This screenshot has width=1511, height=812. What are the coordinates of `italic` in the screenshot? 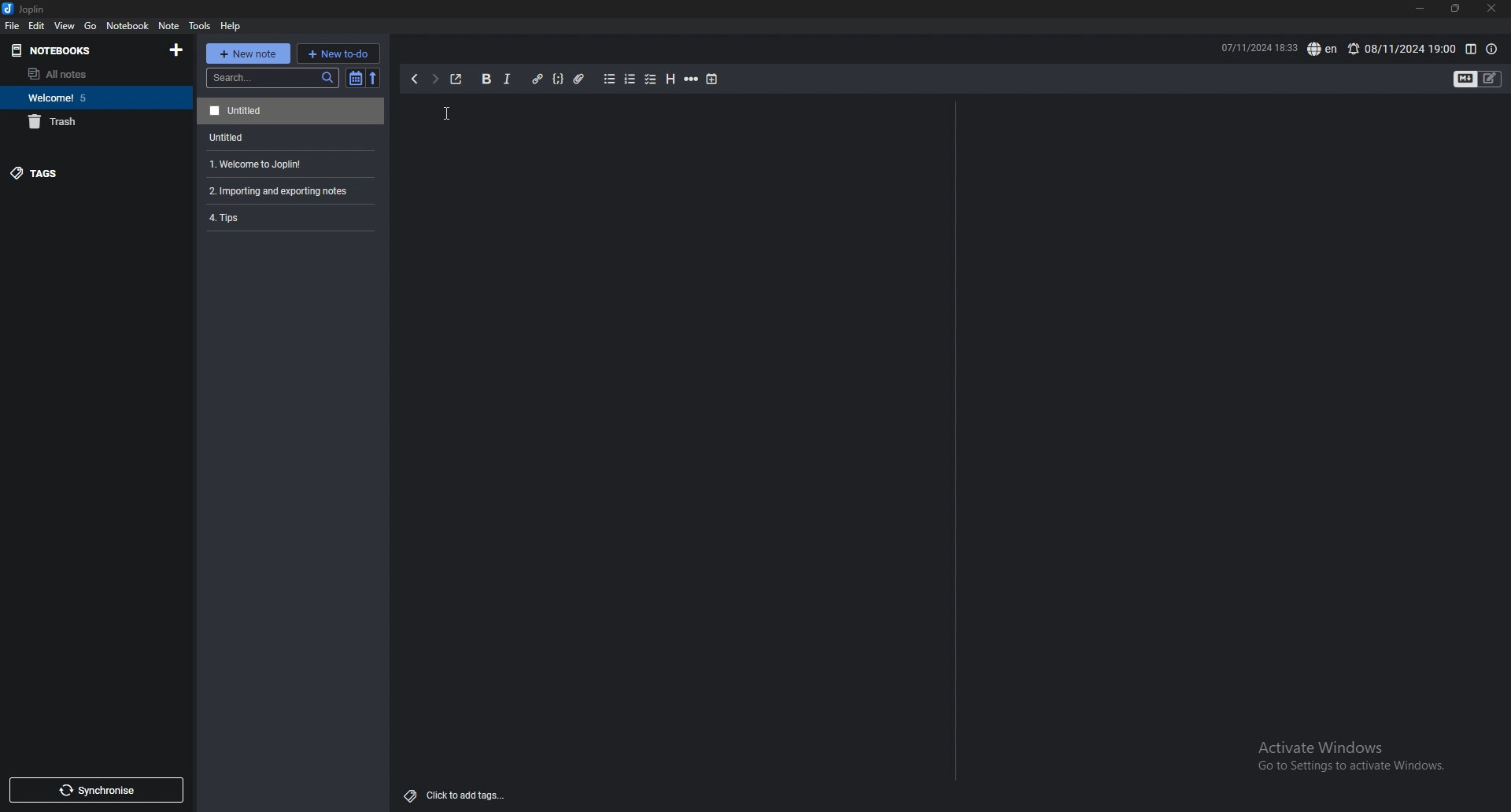 It's located at (508, 79).